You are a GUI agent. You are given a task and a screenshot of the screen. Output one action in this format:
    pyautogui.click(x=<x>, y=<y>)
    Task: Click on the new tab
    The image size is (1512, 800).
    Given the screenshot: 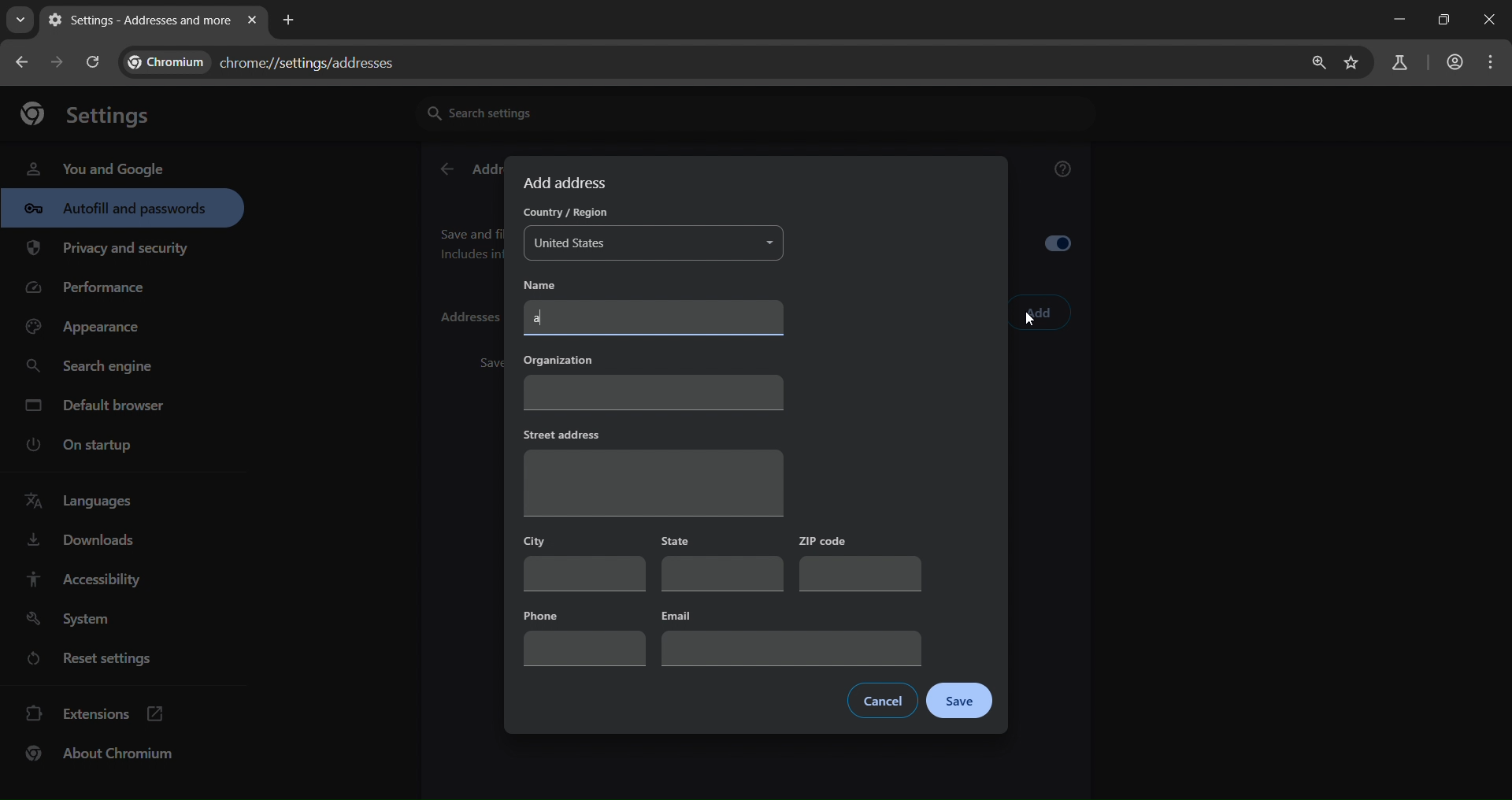 What is the action you would take?
    pyautogui.click(x=289, y=18)
    